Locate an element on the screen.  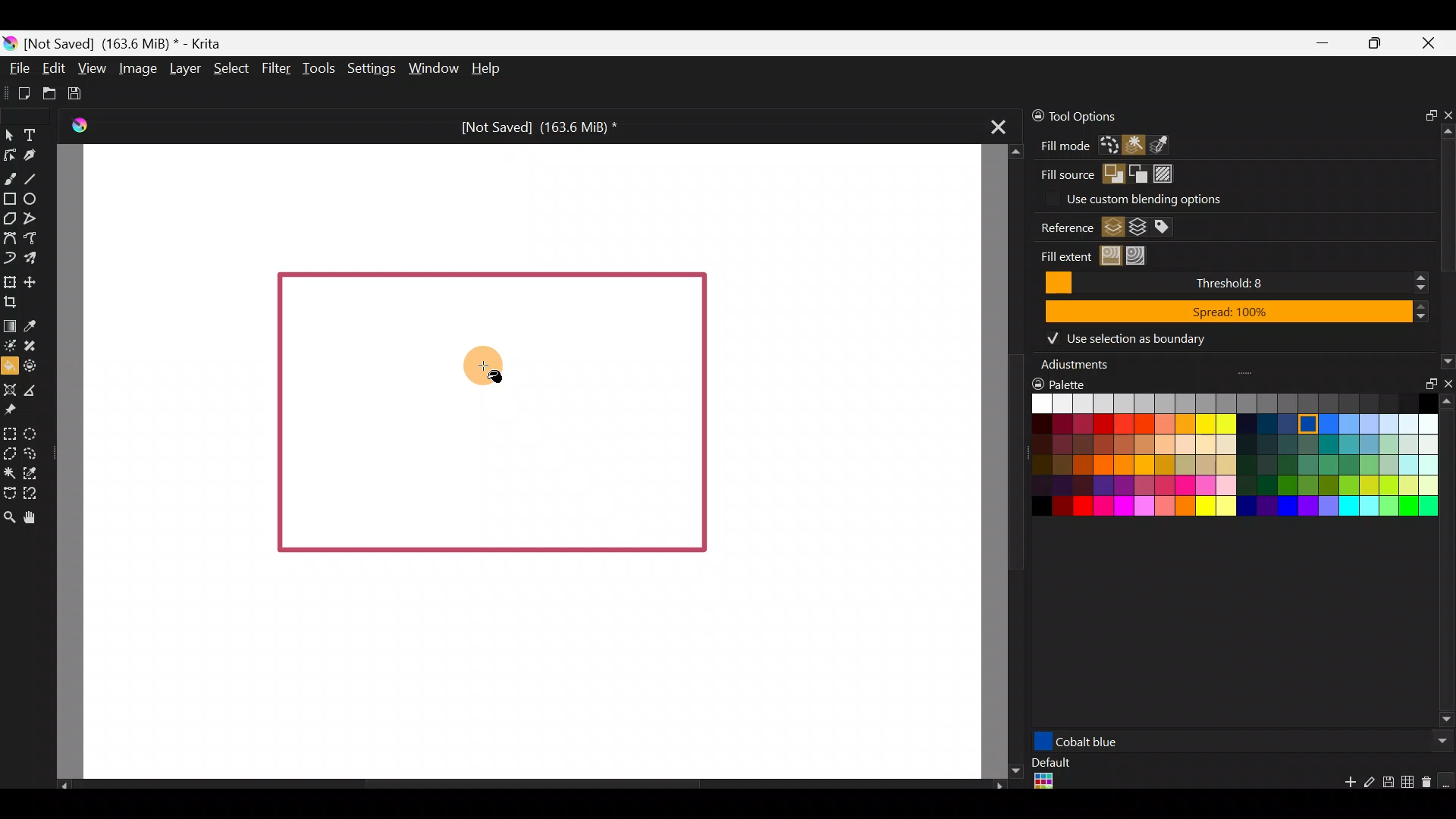
Enclose & fill tool is located at coordinates (36, 366).